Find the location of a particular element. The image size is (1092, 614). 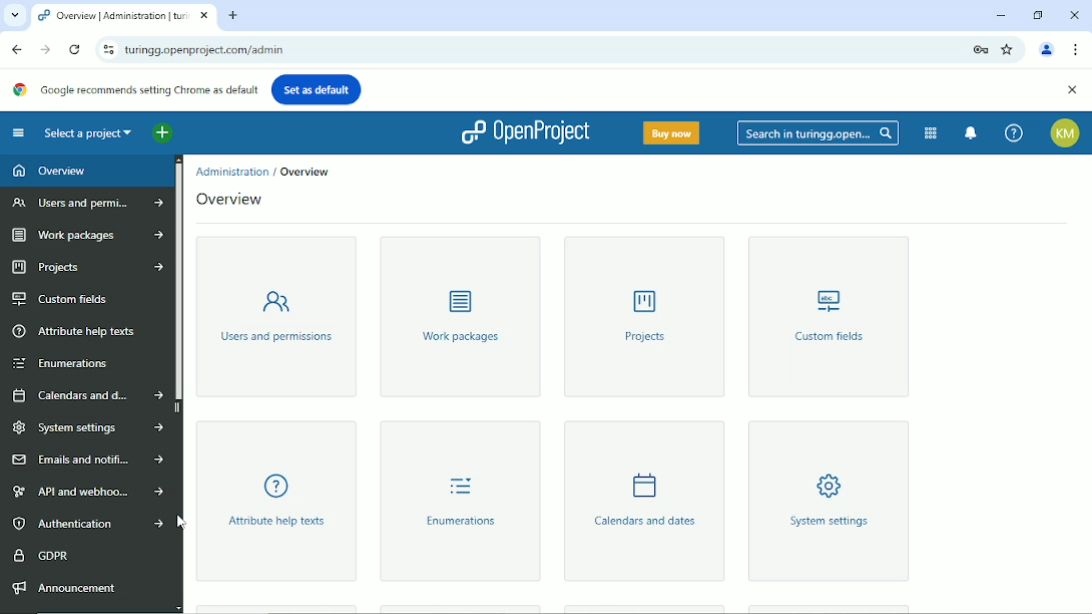

Attribute help texts is located at coordinates (281, 500).